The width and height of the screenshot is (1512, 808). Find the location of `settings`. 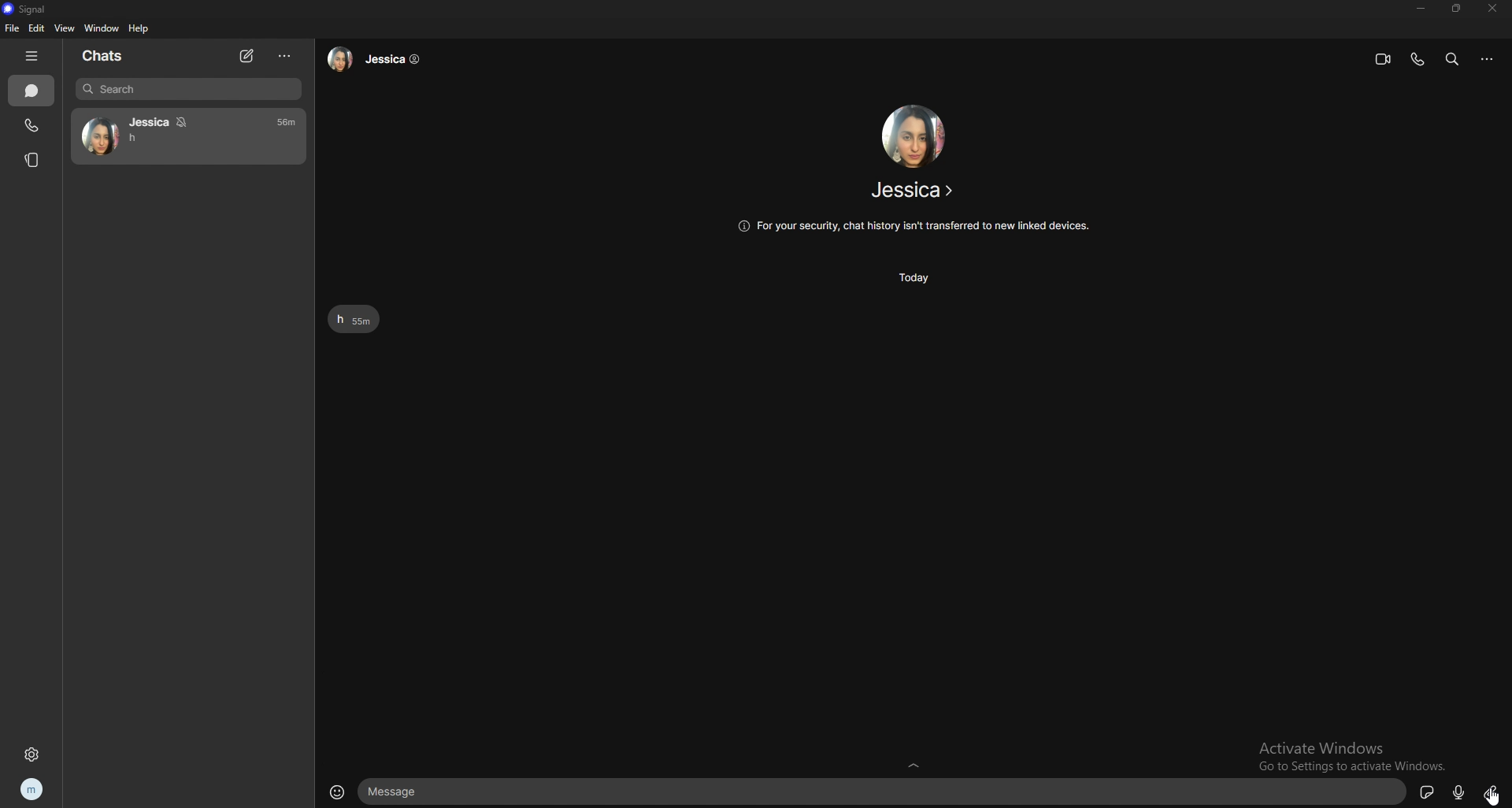

settings is located at coordinates (31, 754).